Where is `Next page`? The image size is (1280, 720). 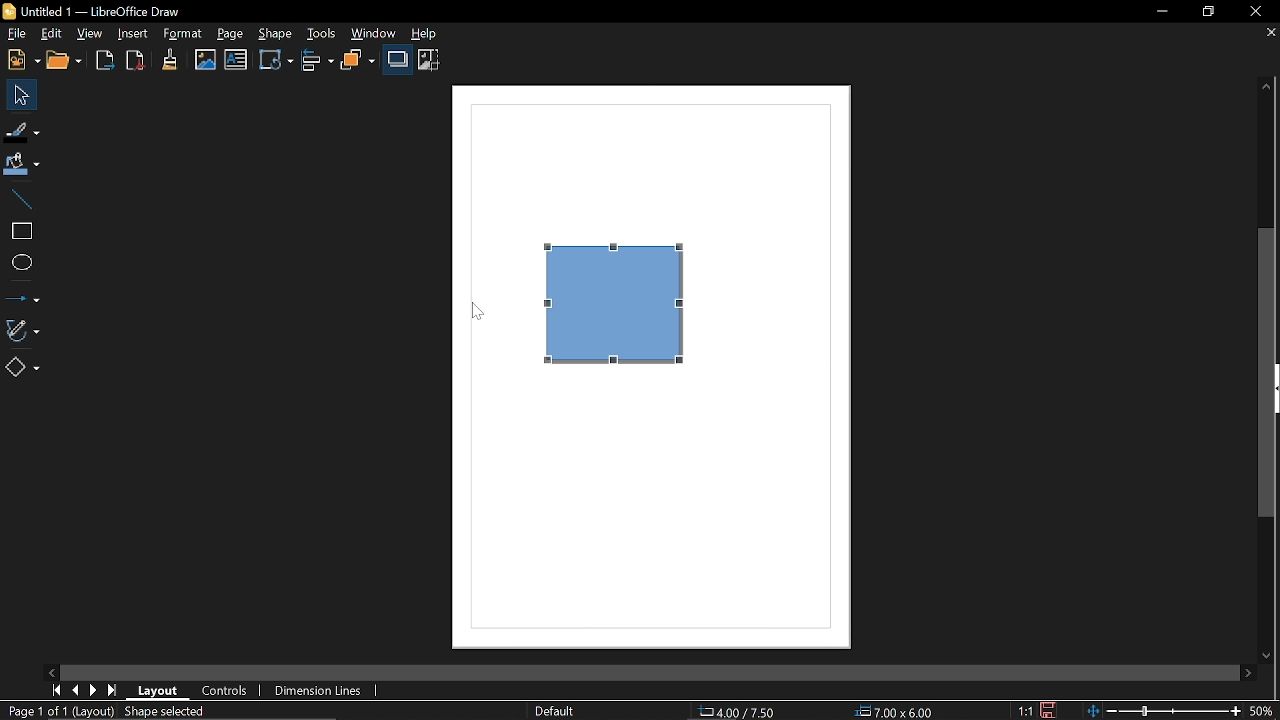 Next page is located at coordinates (94, 690).